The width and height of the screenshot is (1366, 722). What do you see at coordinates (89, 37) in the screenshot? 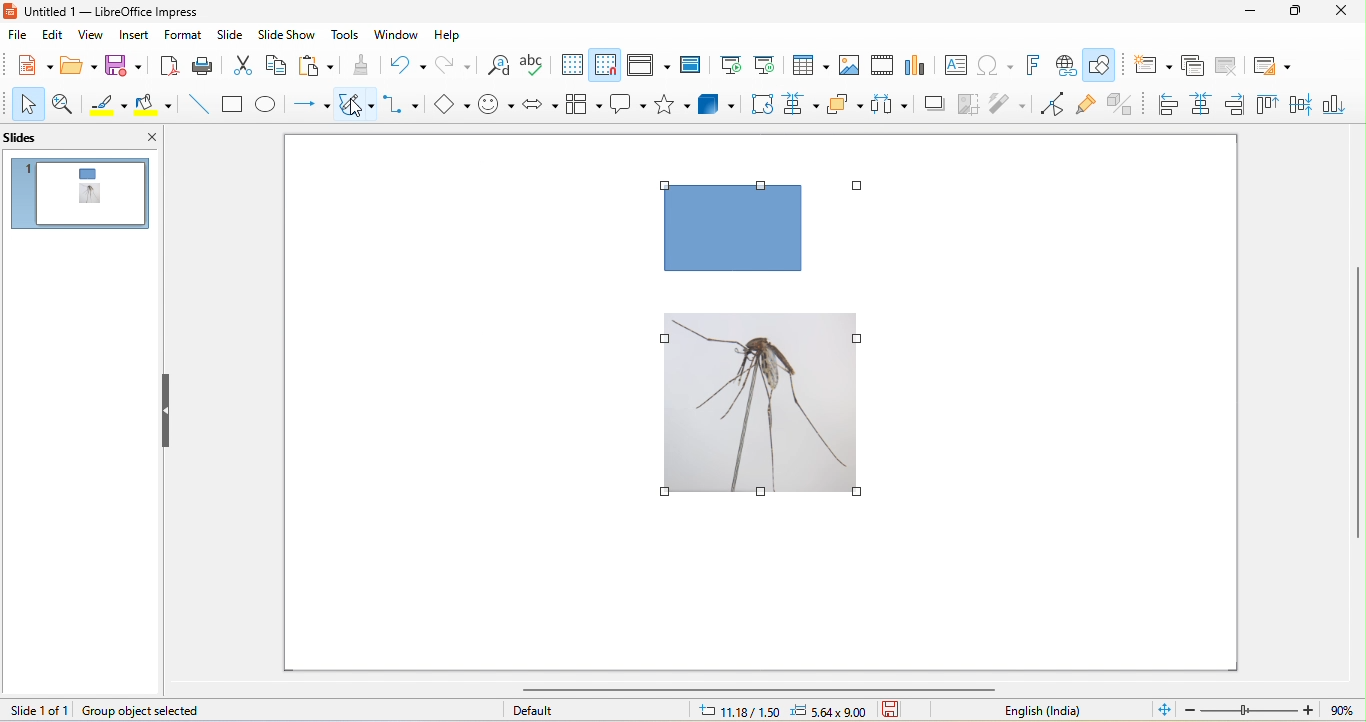
I see `view` at bounding box center [89, 37].